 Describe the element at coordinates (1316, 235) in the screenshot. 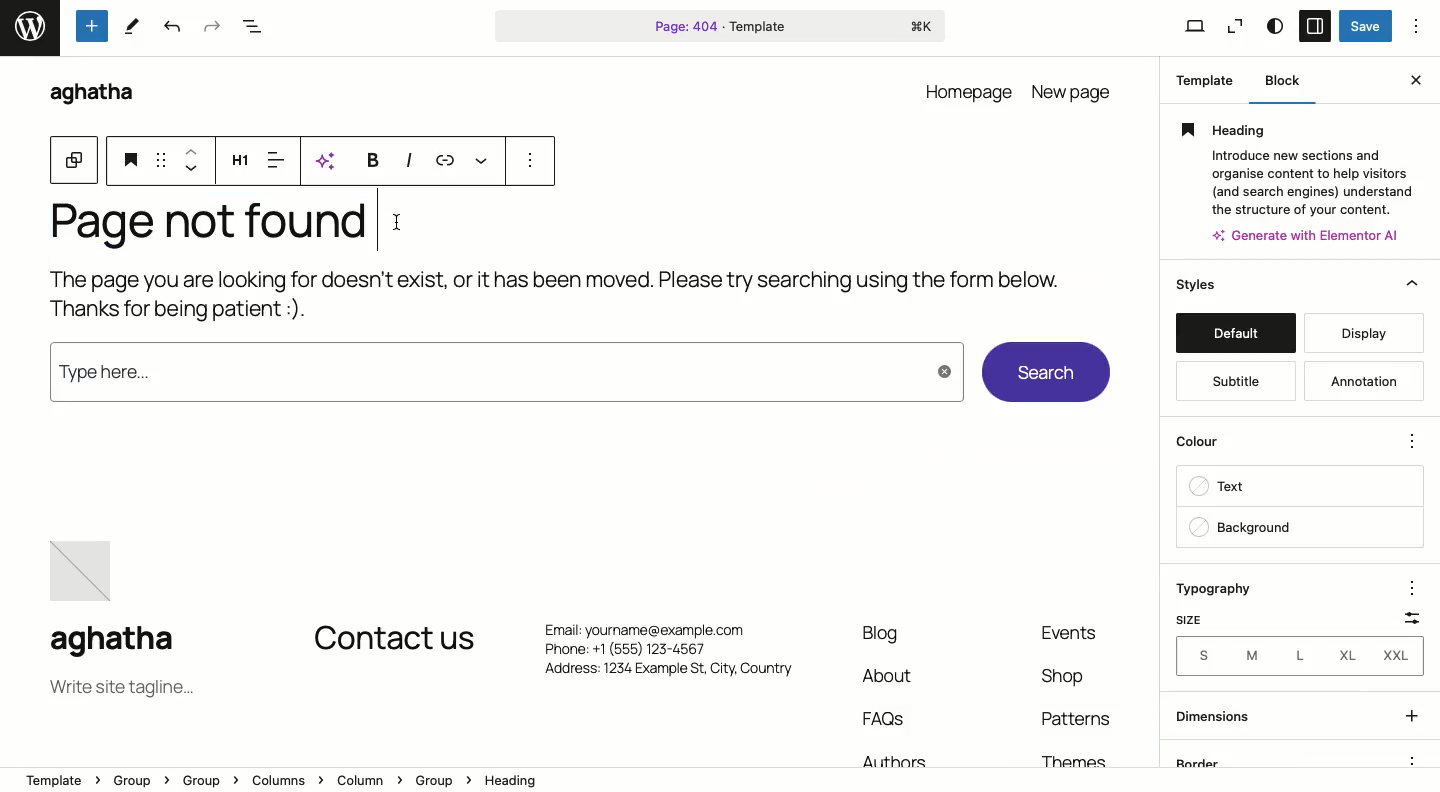

I see `` at that location.